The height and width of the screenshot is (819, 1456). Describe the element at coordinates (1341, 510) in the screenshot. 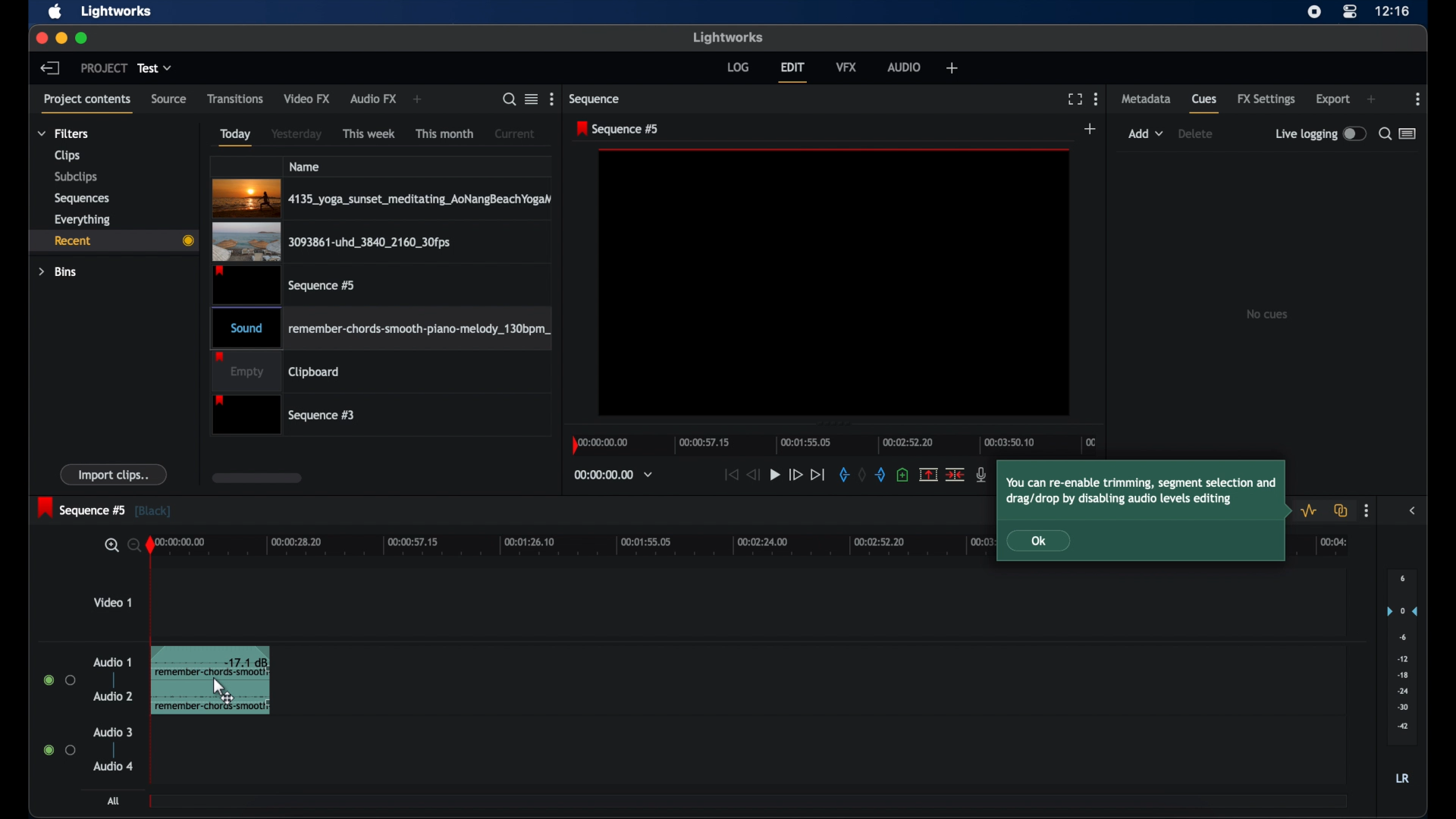

I see `toggle auto track sync` at that location.